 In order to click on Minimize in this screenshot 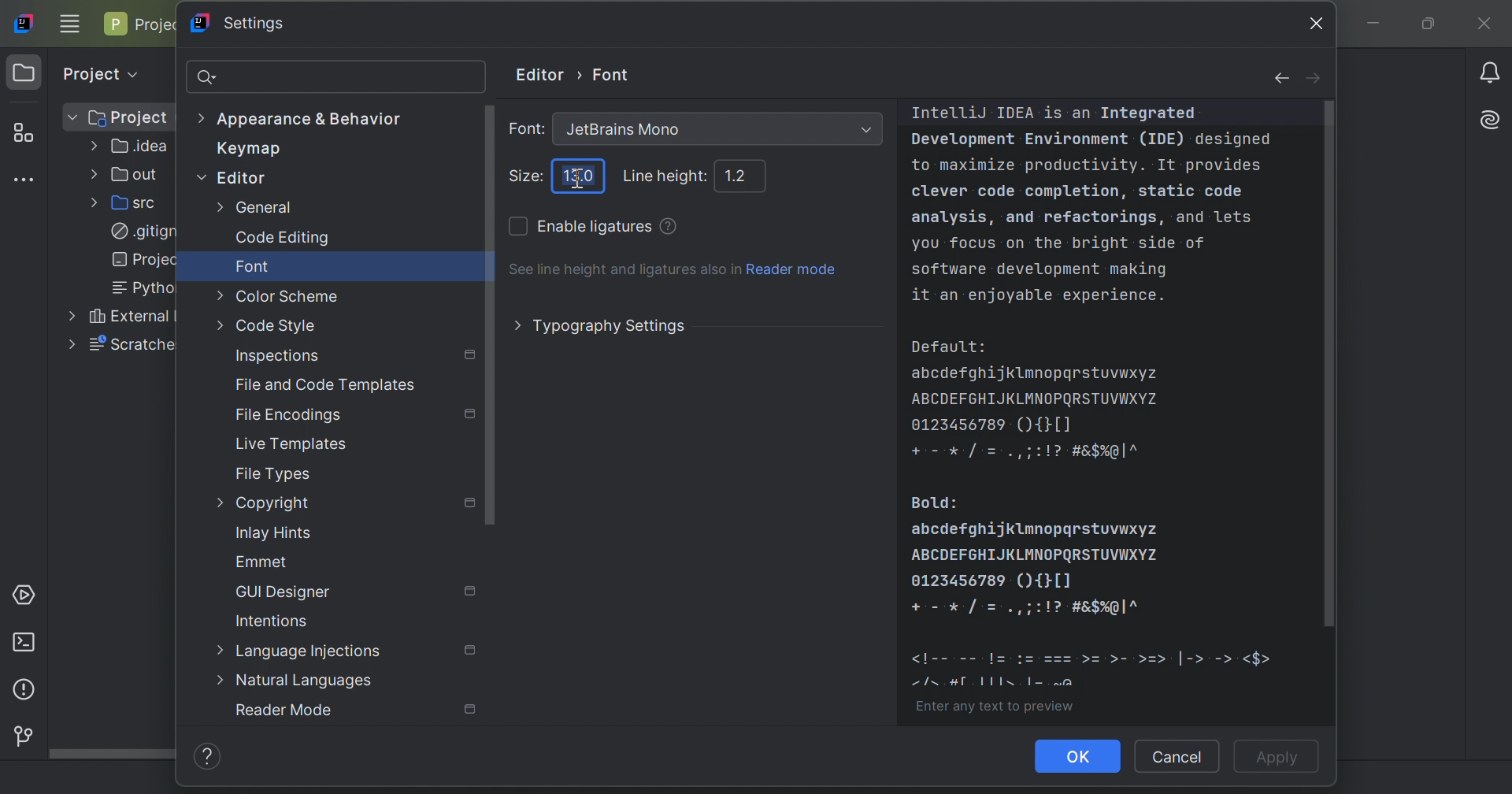, I will do `click(1379, 25)`.